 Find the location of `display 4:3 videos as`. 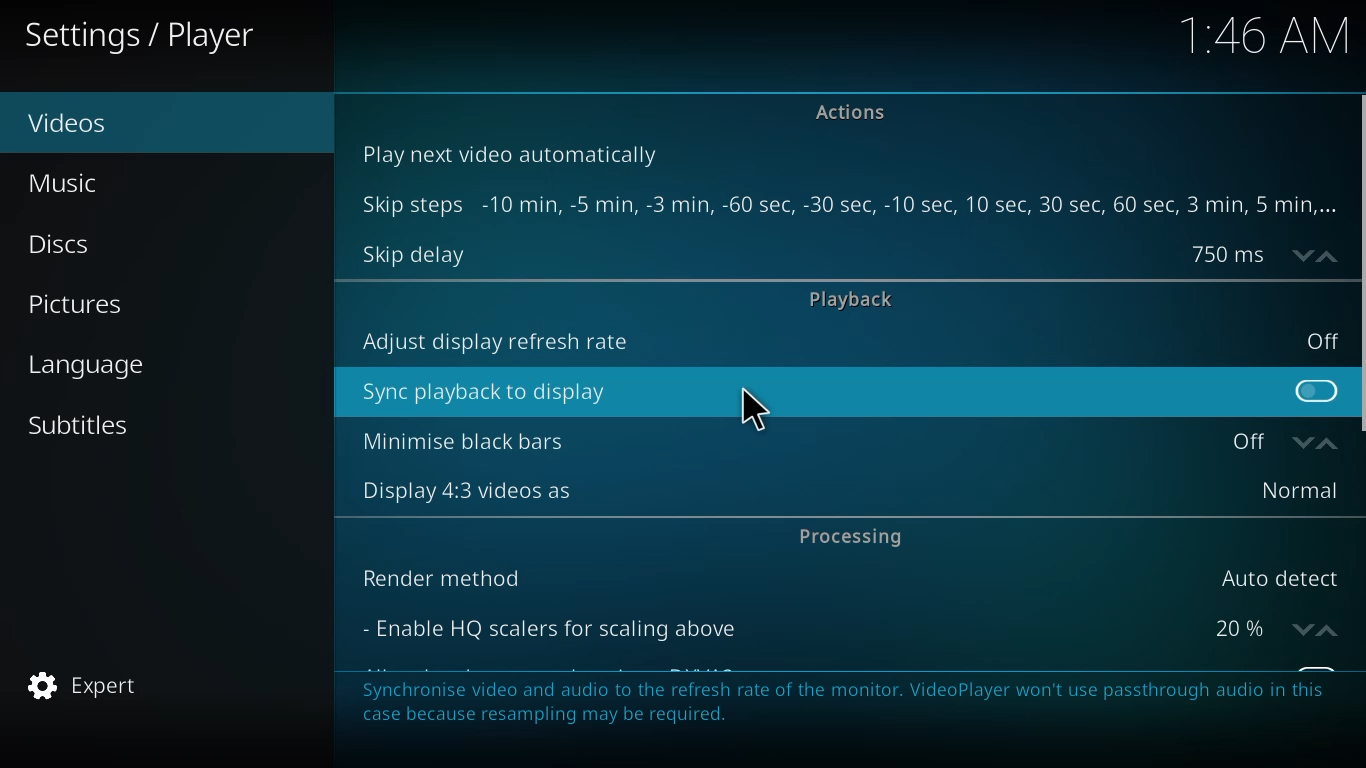

display 4:3 videos as is located at coordinates (470, 488).